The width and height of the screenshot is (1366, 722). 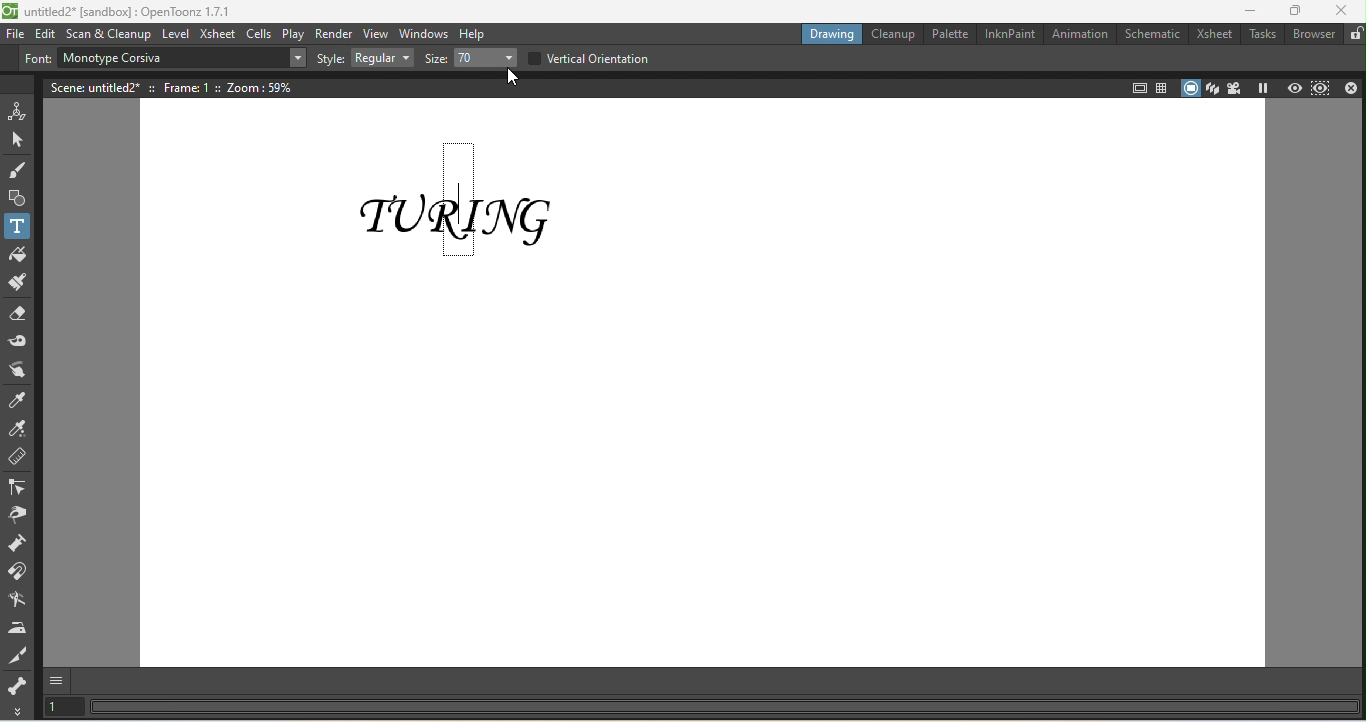 I want to click on Palette, so click(x=947, y=34).